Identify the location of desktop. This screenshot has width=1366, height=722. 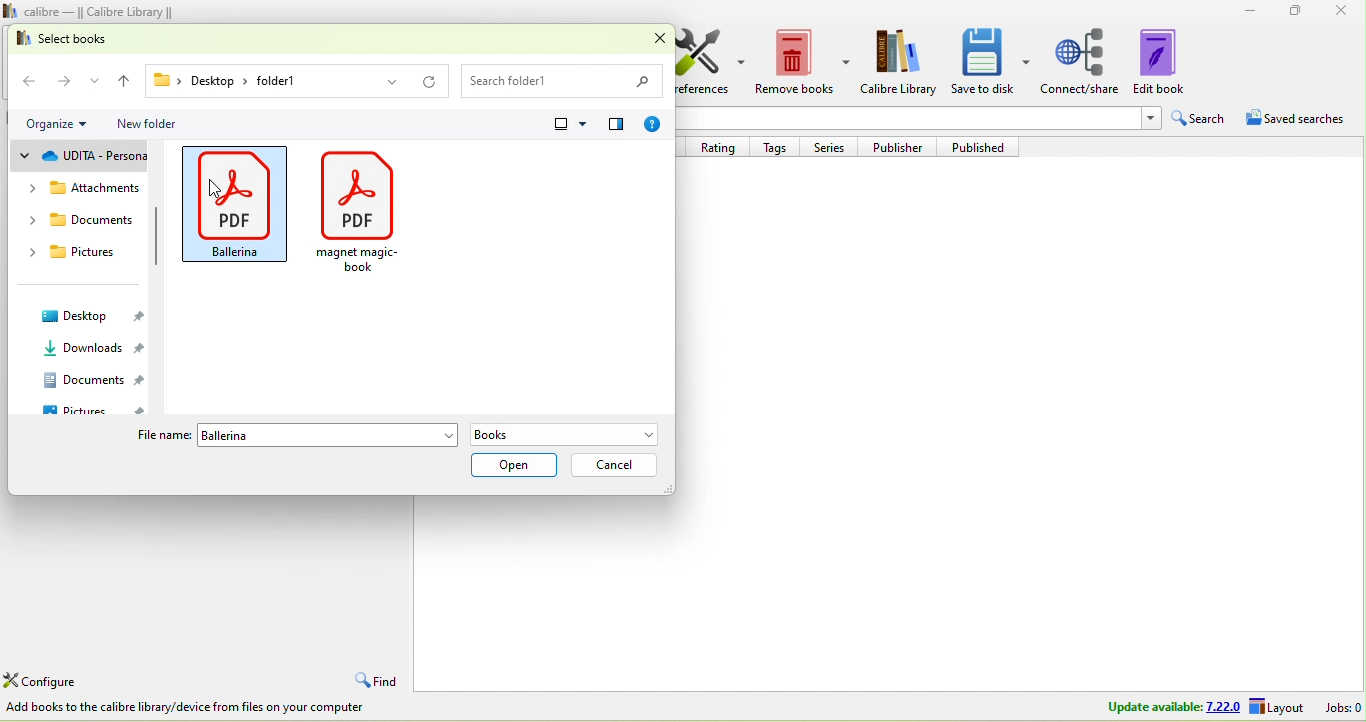
(88, 317).